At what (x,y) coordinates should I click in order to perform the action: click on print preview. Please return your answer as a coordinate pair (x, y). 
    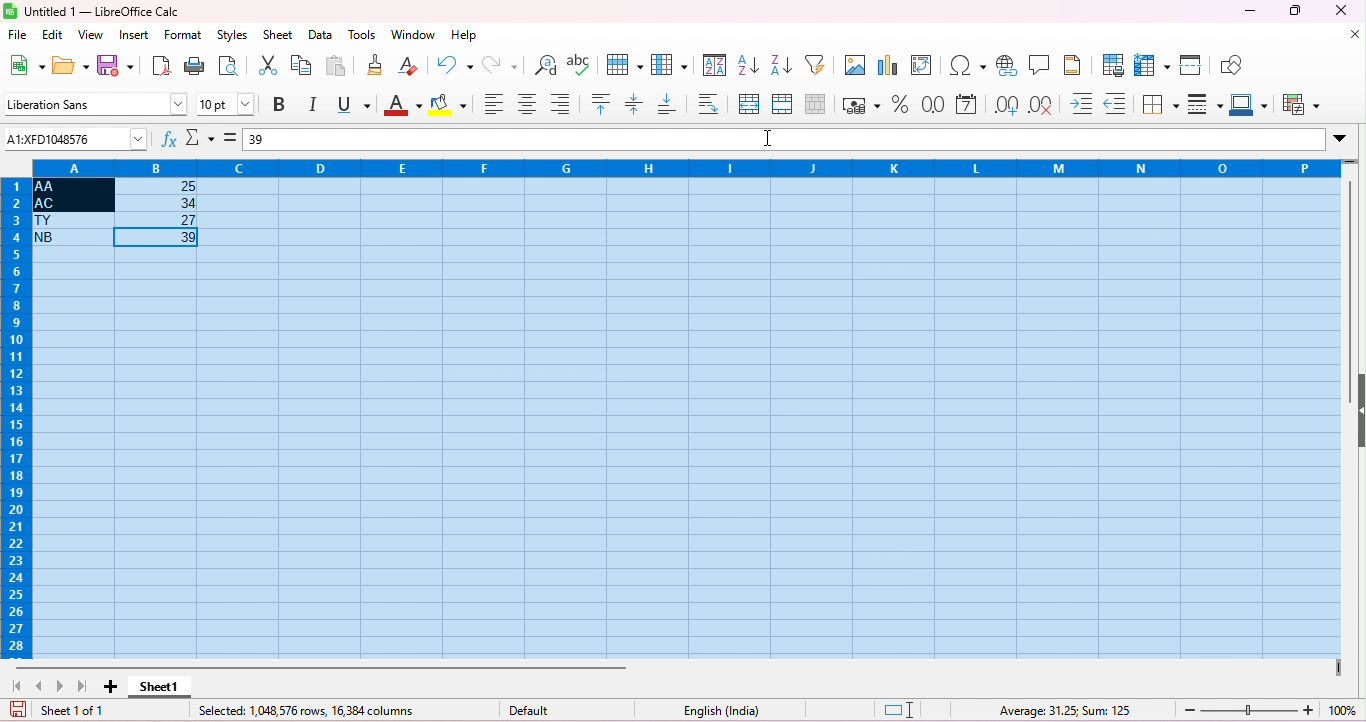
    Looking at the image, I should click on (230, 66).